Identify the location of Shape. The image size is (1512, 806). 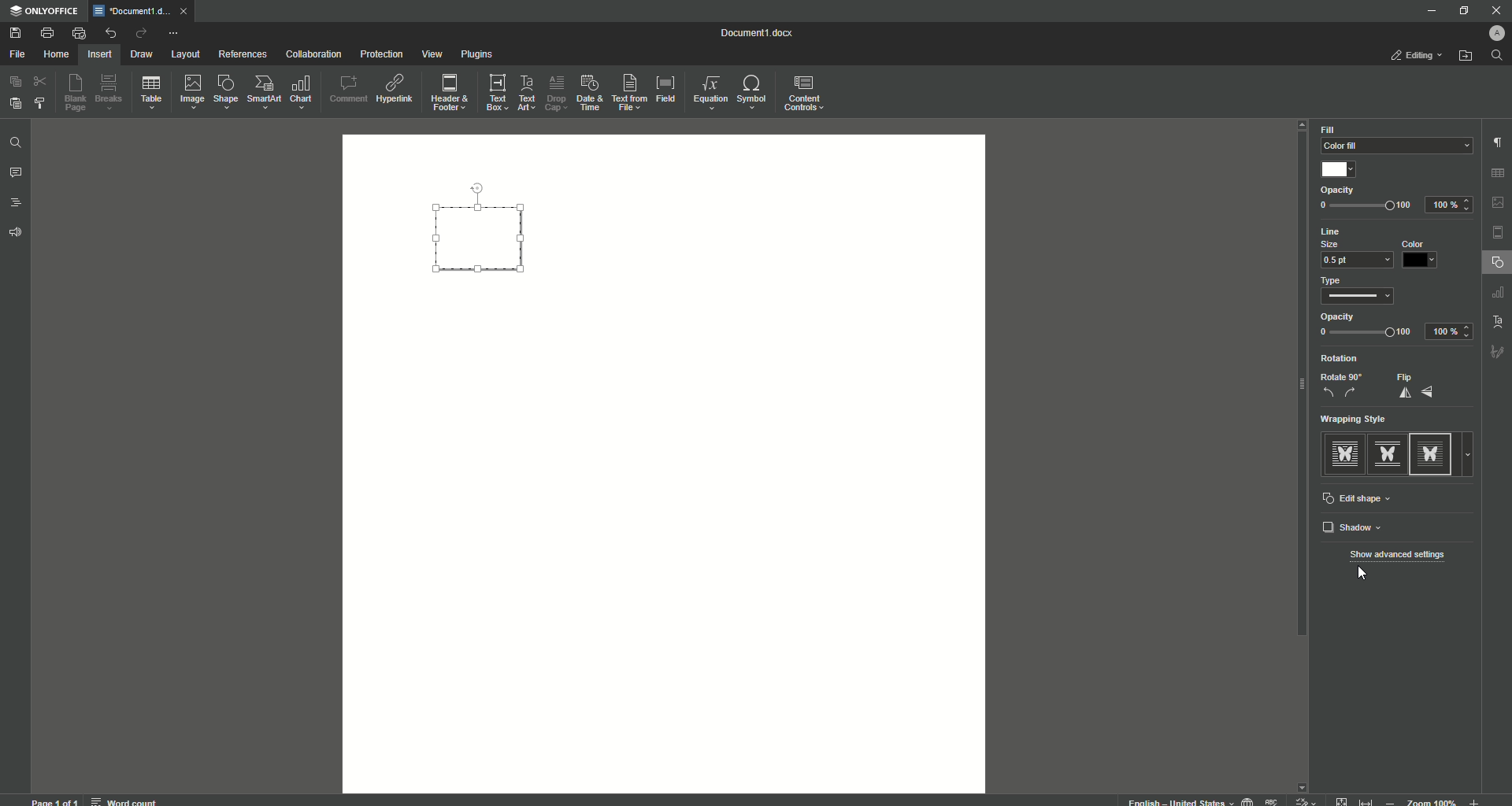
(224, 91).